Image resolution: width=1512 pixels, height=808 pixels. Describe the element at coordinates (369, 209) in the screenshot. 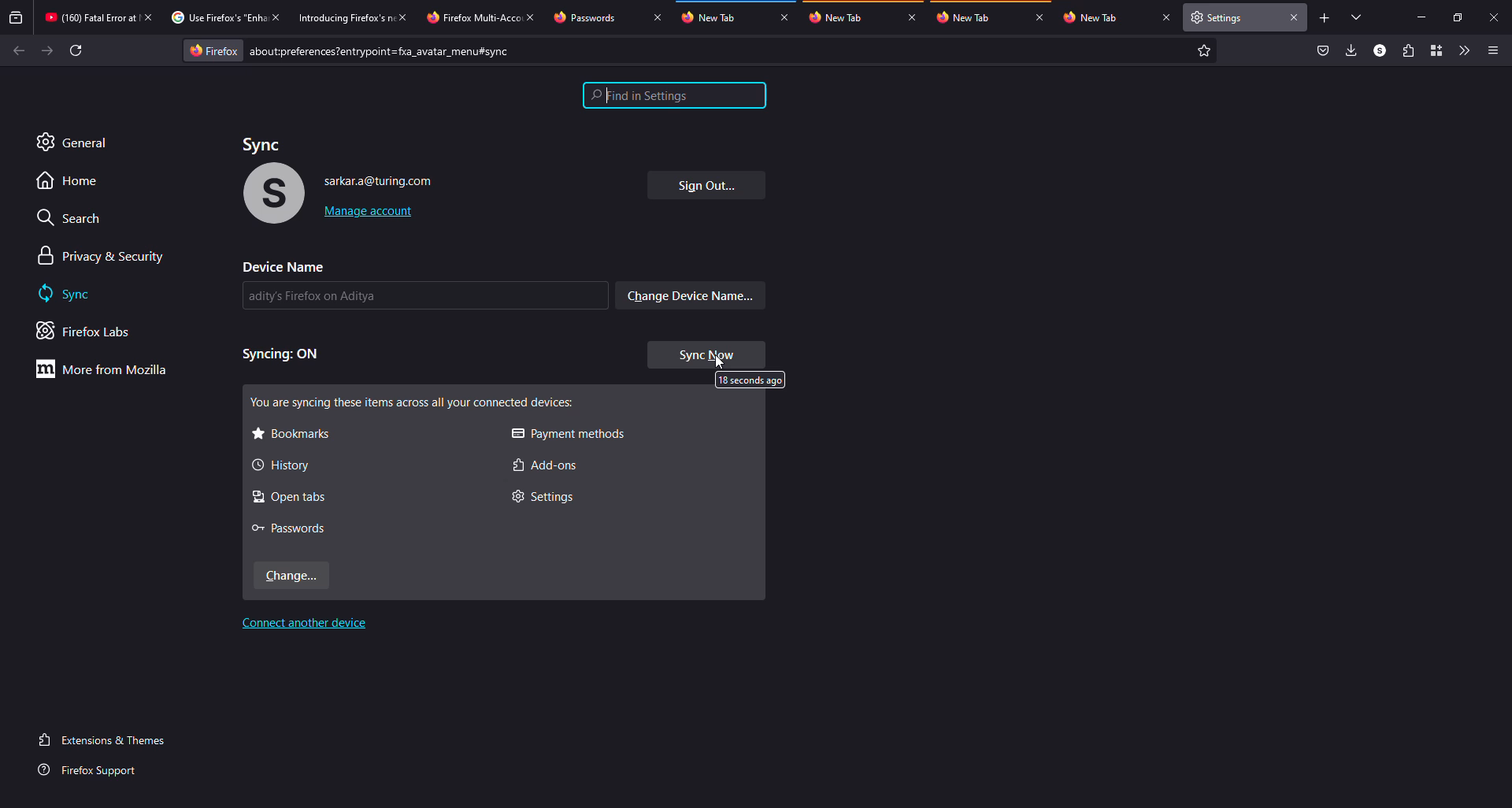

I see `manage` at that location.